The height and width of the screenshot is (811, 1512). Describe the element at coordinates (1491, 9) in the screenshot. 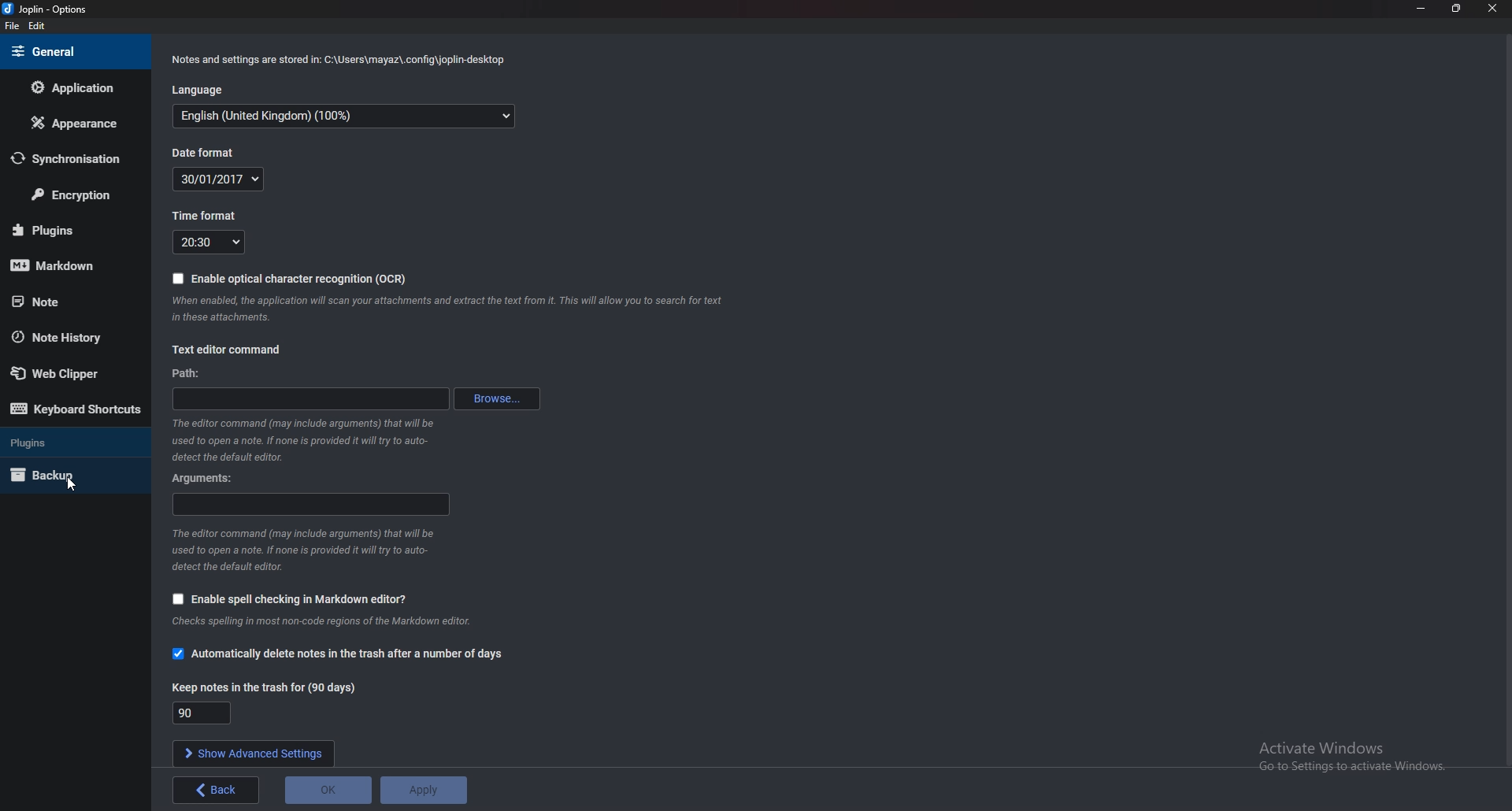

I see `close` at that location.